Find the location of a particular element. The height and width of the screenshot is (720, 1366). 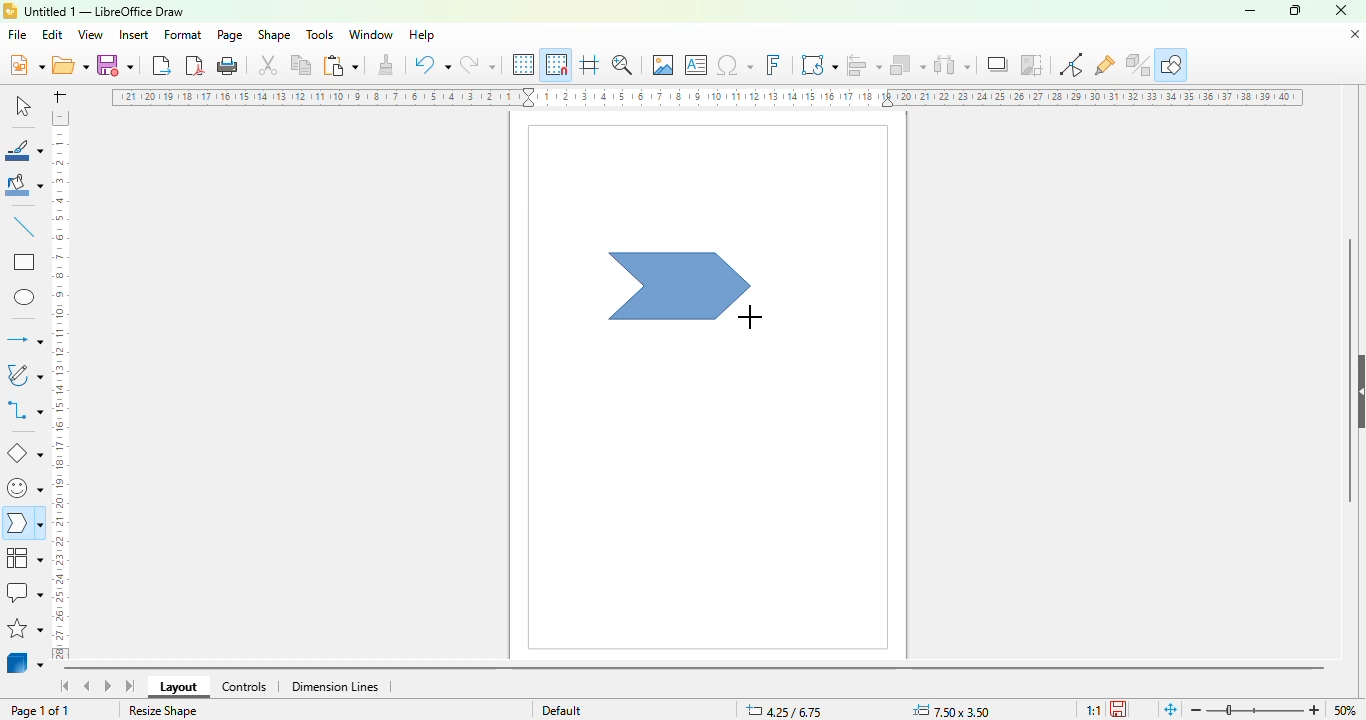

cut is located at coordinates (268, 65).